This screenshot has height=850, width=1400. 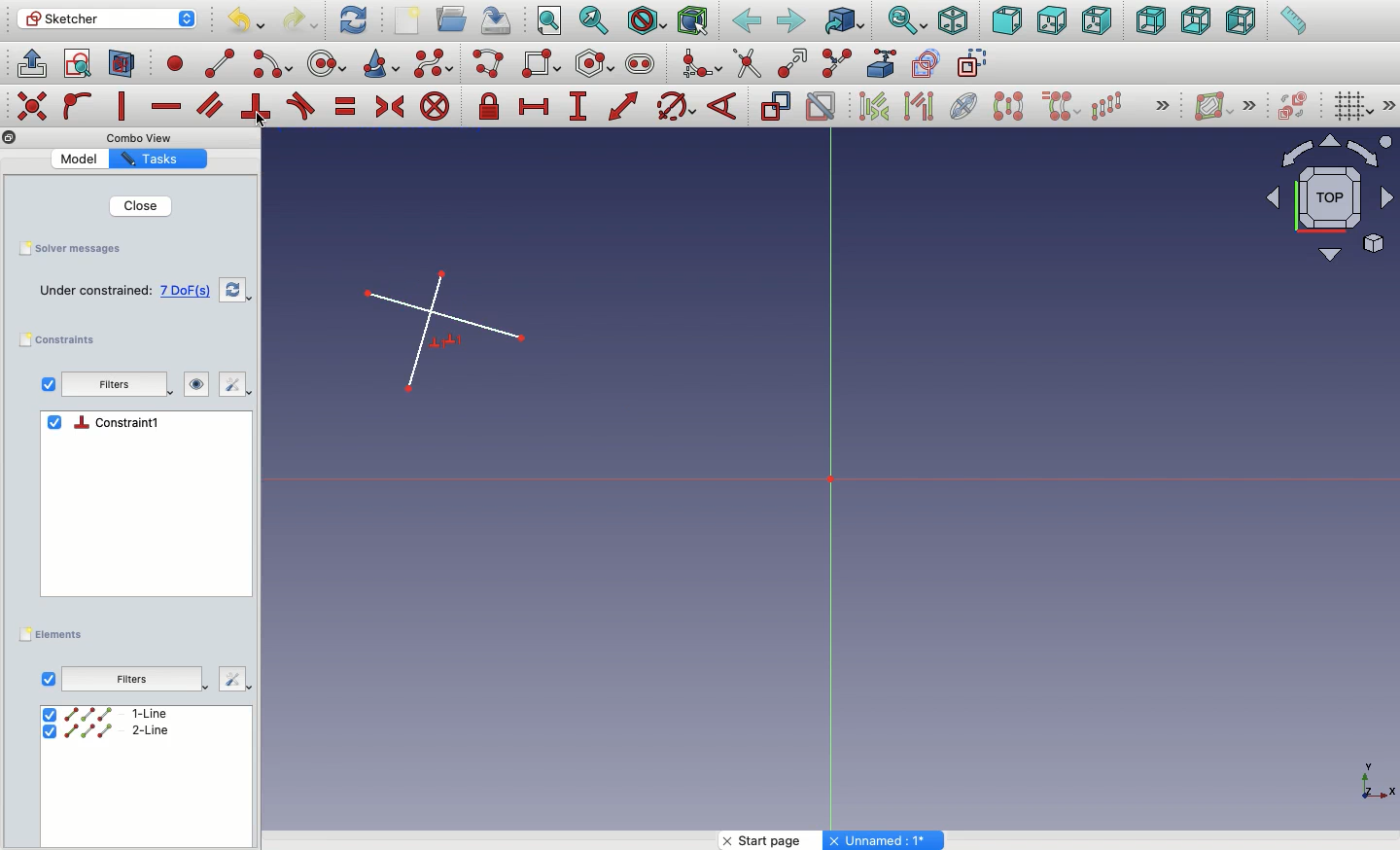 I want to click on Leave sketch, so click(x=31, y=62).